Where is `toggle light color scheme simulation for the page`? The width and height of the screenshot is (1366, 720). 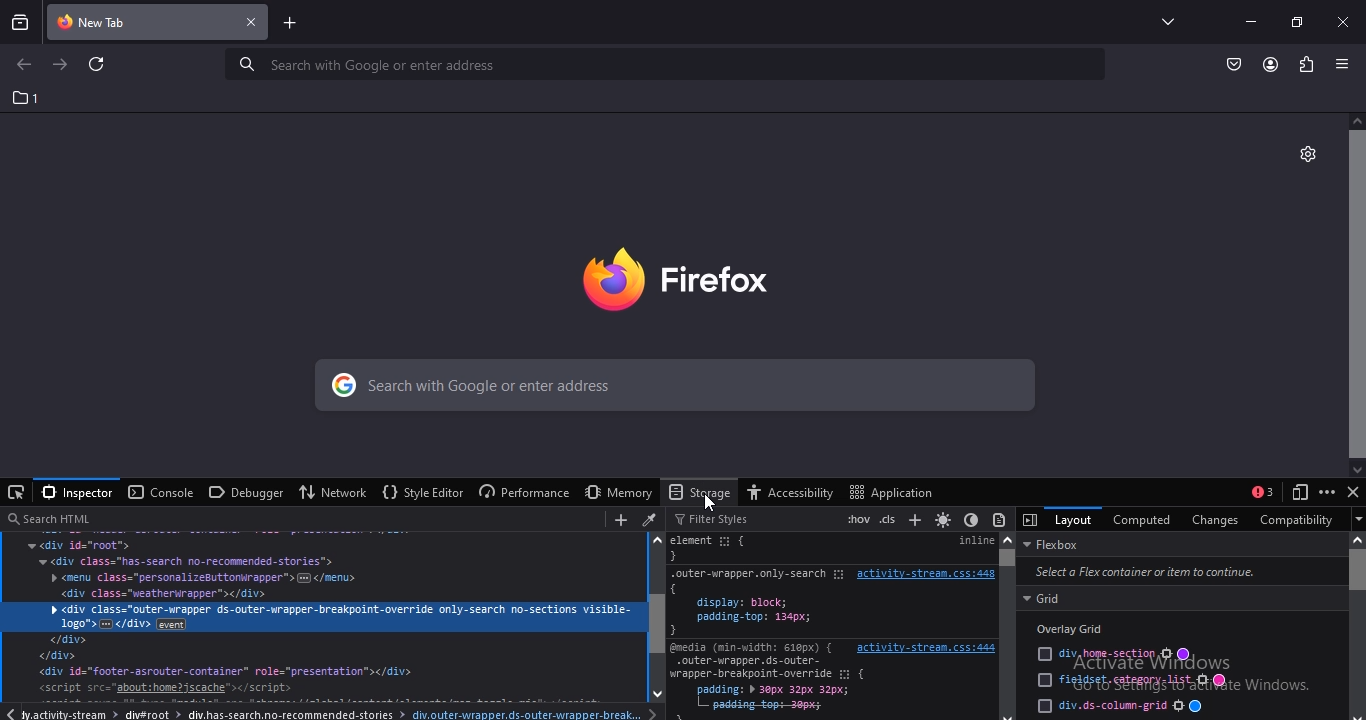
toggle light color scheme simulation for the page is located at coordinates (942, 519).